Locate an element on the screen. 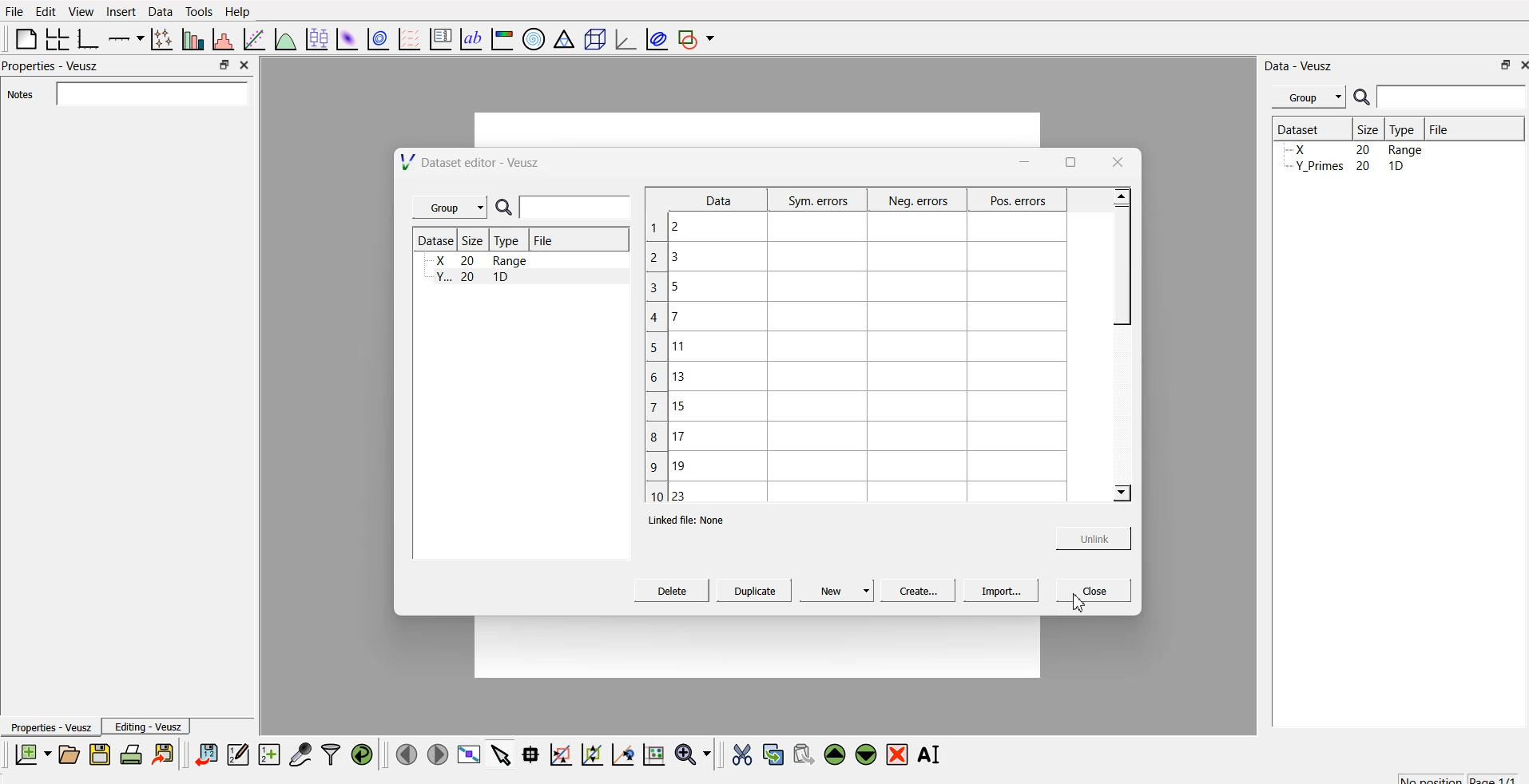 The width and height of the screenshot is (1529, 784). new document is located at coordinates (30, 754).